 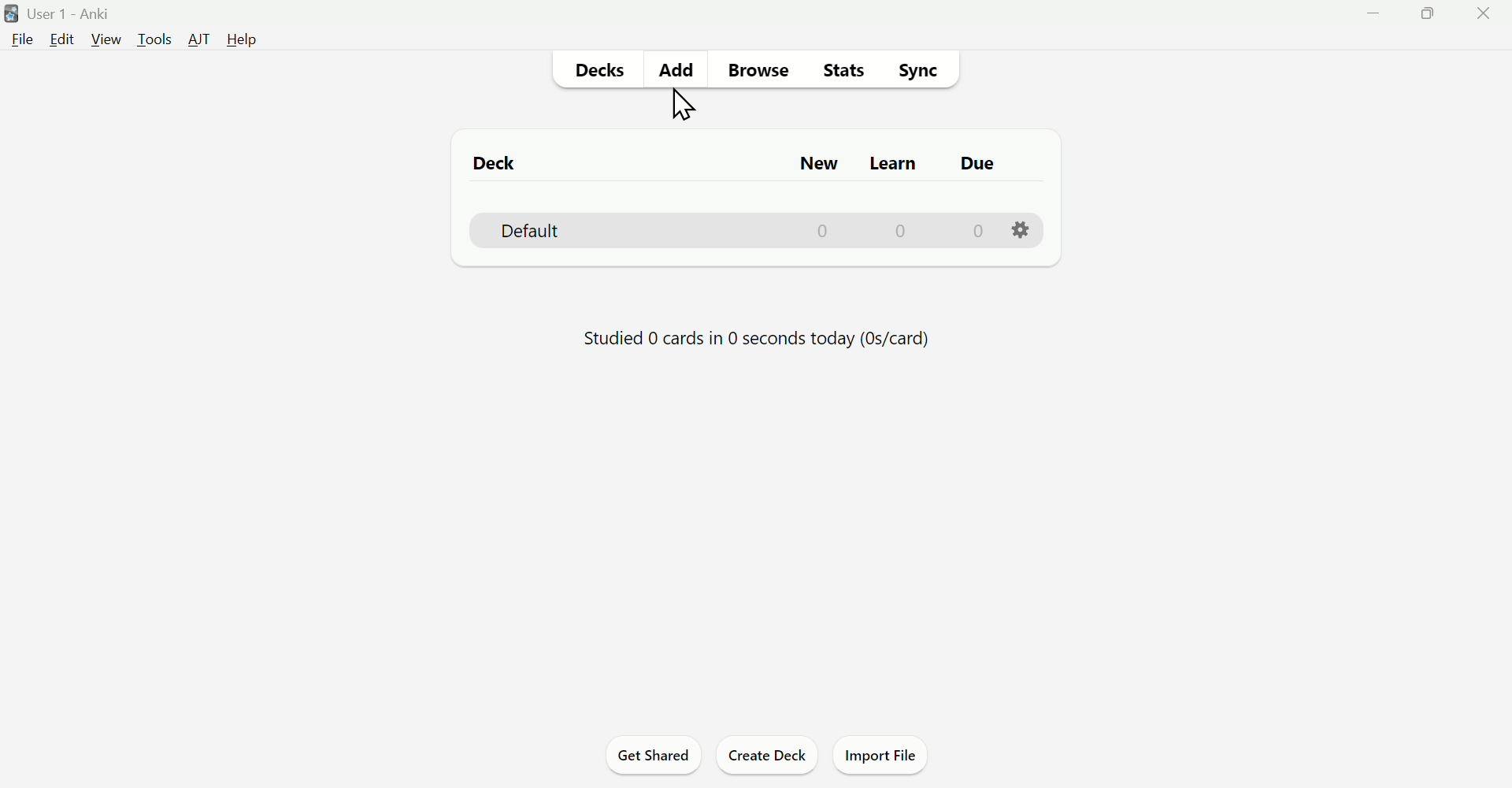 I want to click on Get Shared, so click(x=658, y=755).